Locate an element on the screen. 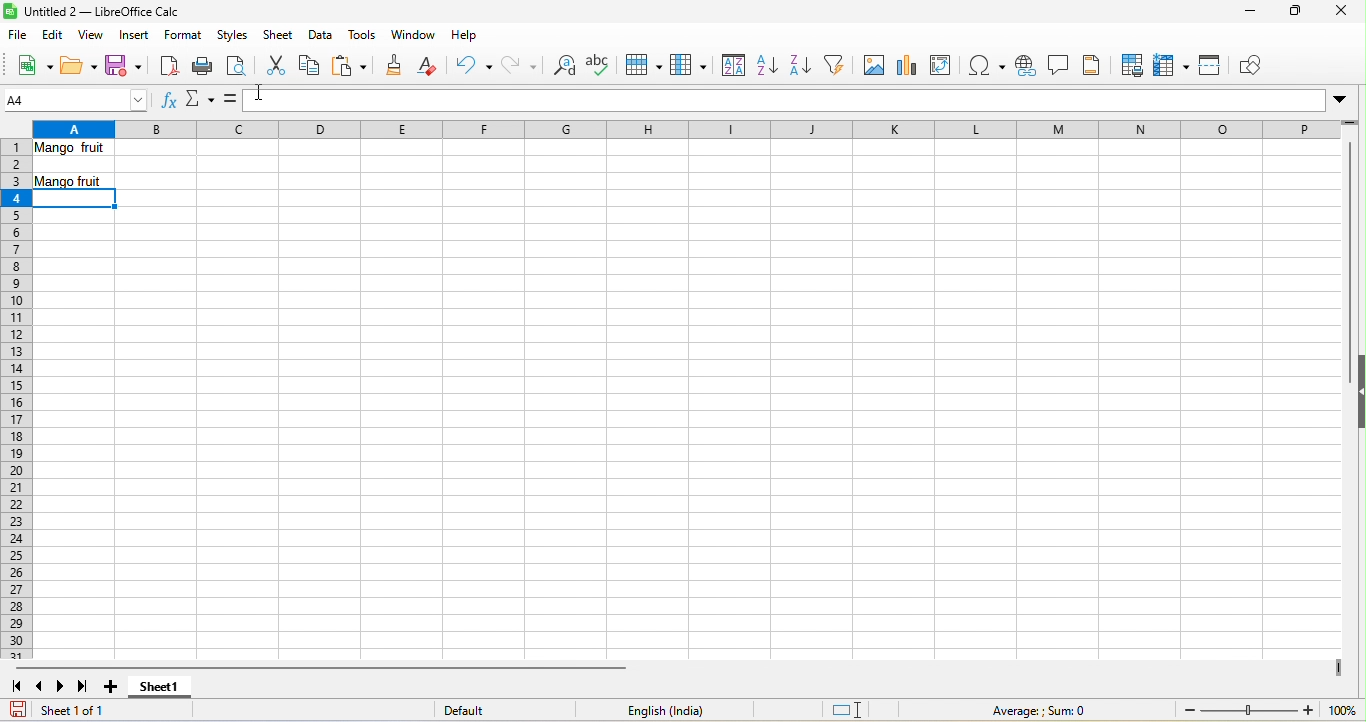 This screenshot has width=1366, height=722. close is located at coordinates (1337, 15).